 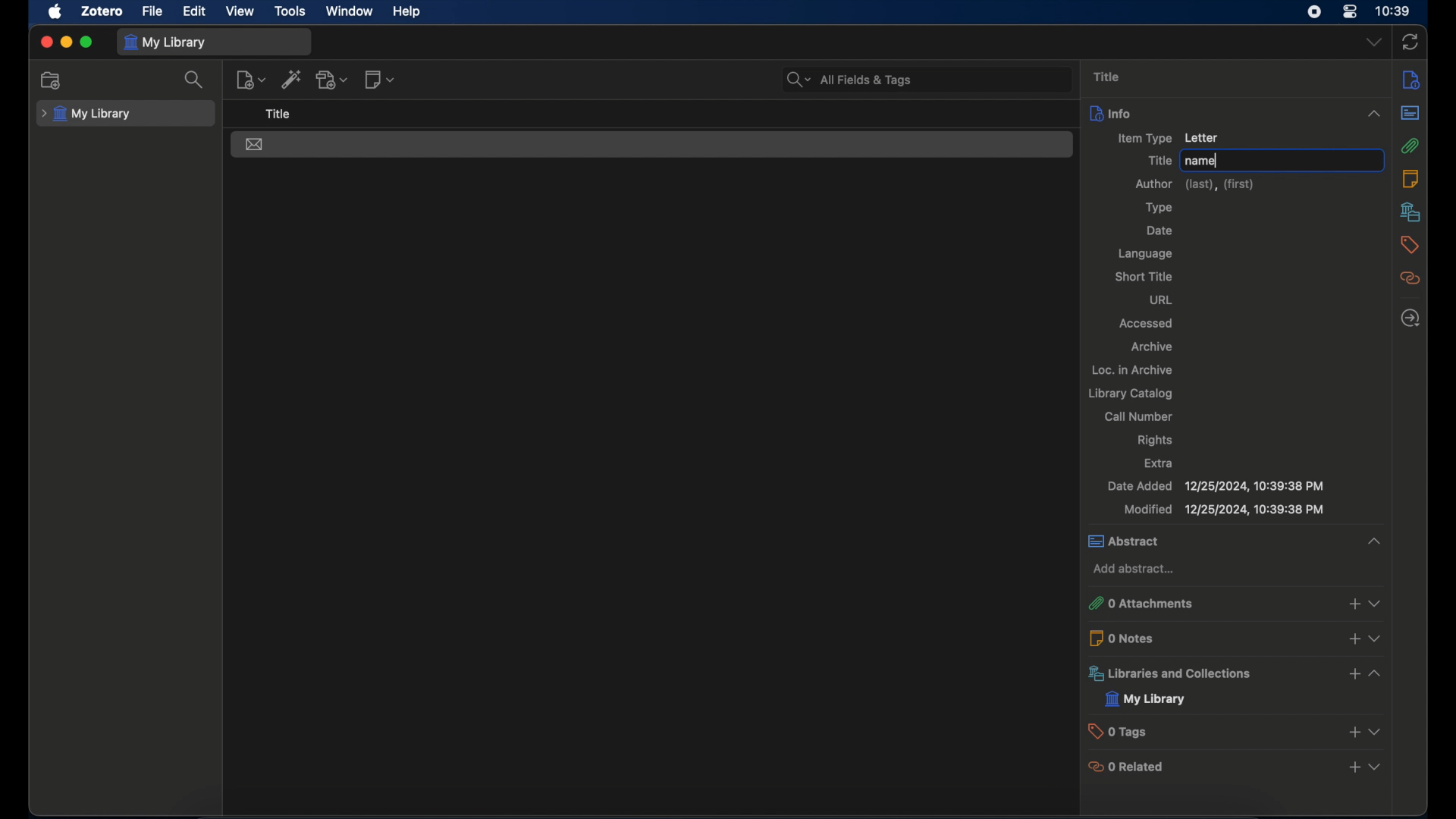 What do you see at coordinates (1225, 509) in the screenshot?
I see `modified` at bounding box center [1225, 509].